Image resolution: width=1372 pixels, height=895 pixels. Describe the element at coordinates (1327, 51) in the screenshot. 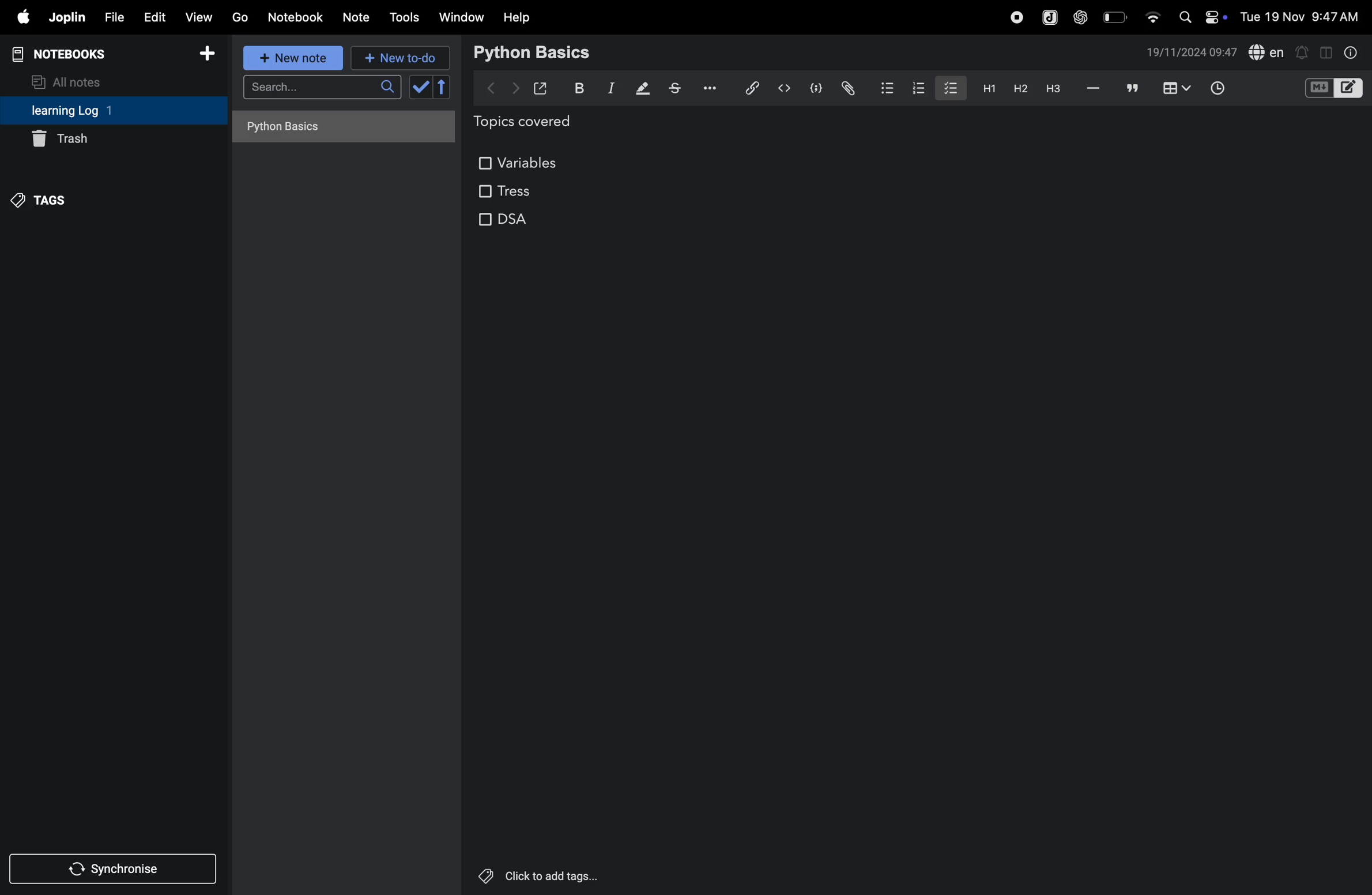

I see `toggle editor layout` at that location.